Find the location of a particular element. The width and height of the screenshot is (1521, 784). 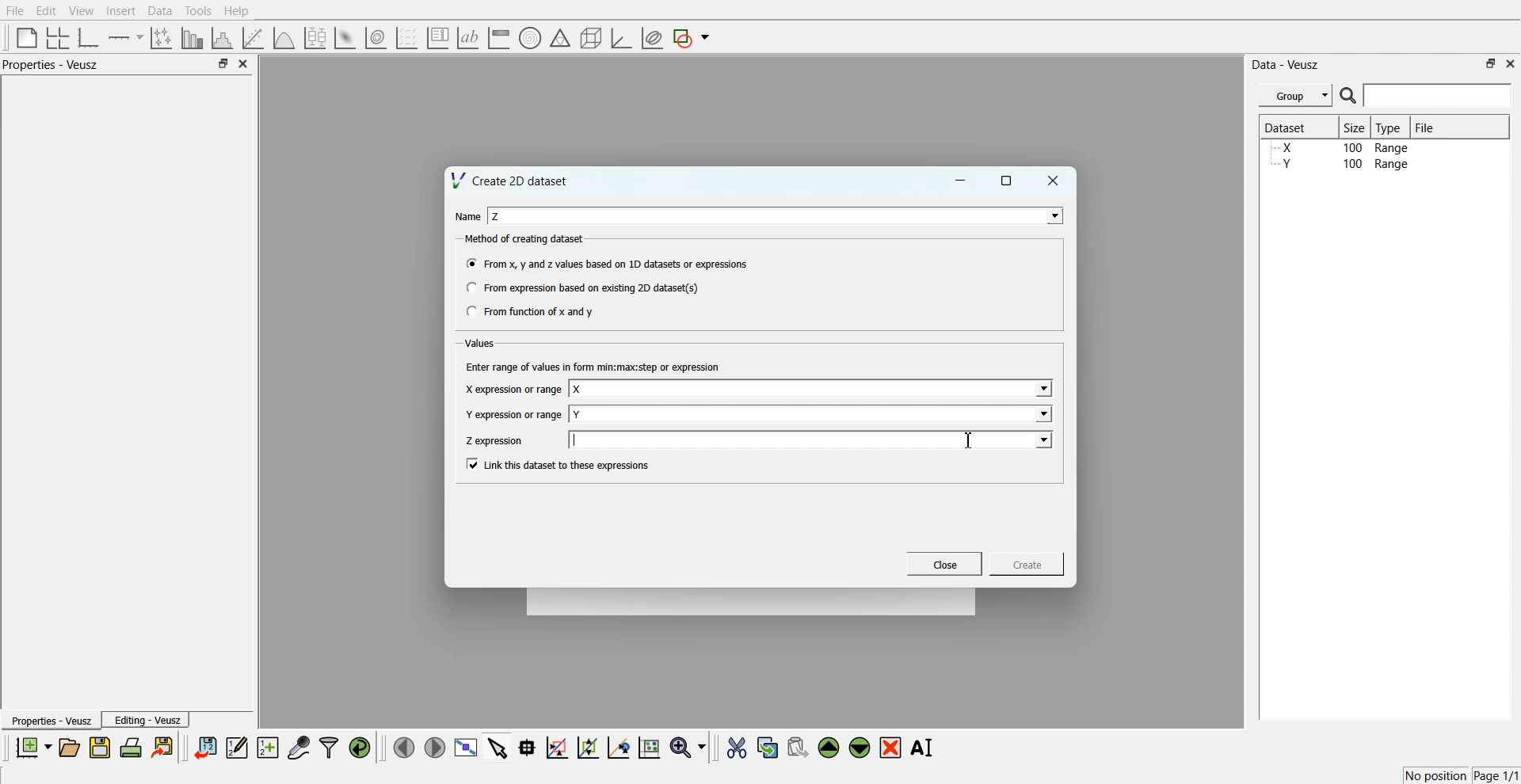

Cut the selected widget is located at coordinates (737, 748).